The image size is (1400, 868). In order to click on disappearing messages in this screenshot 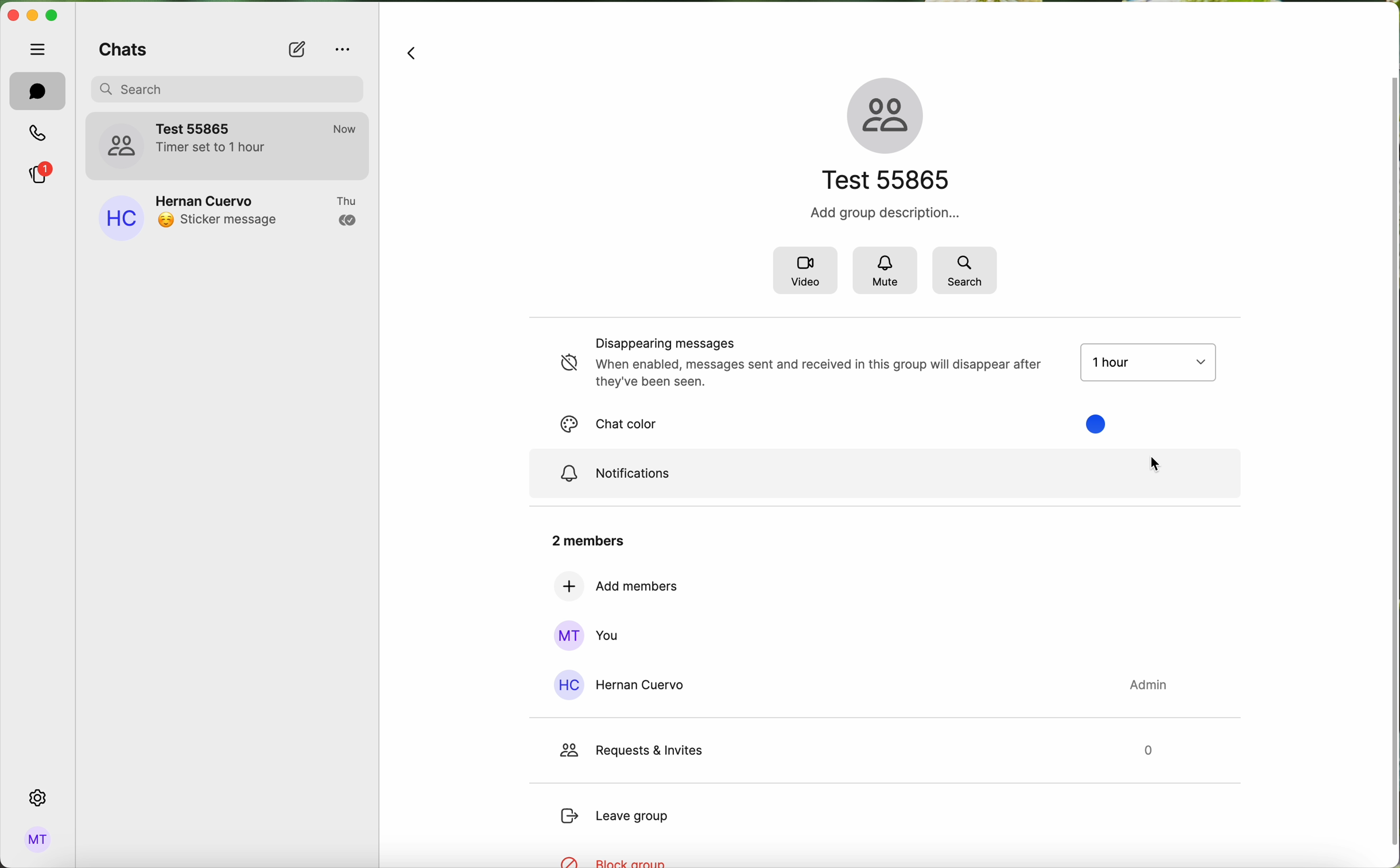, I will do `click(790, 364)`.